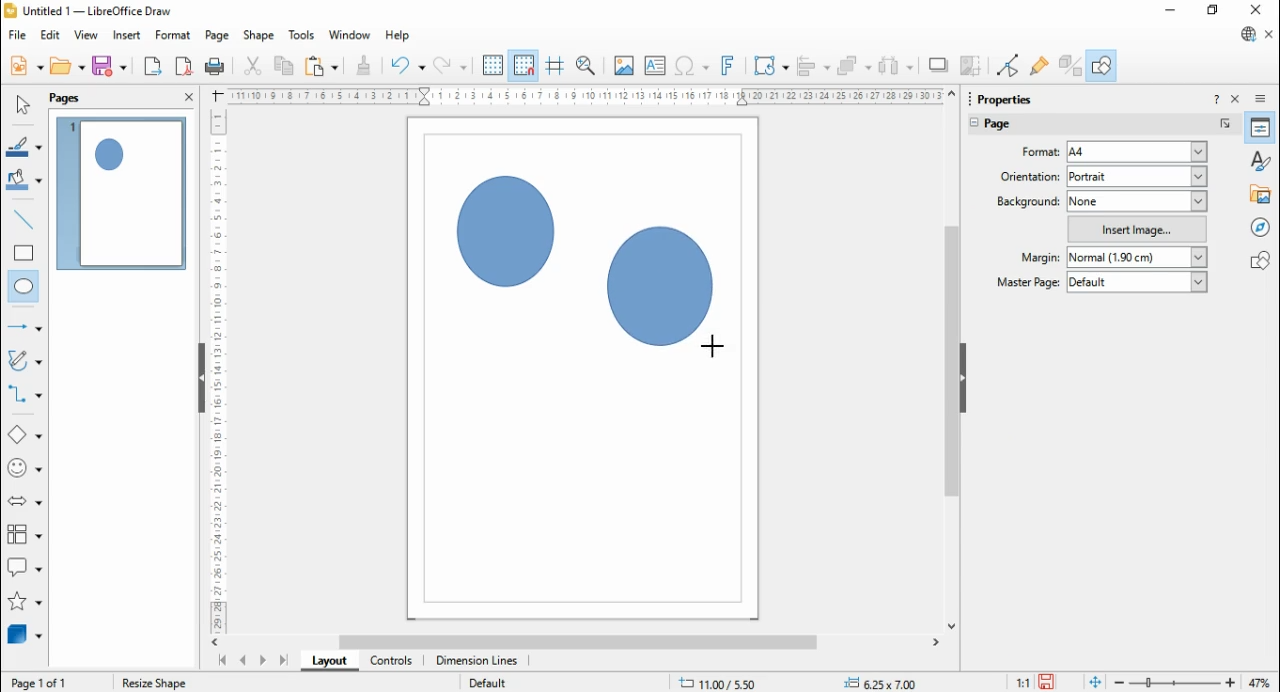  Describe the element at coordinates (398, 36) in the screenshot. I see `help` at that location.